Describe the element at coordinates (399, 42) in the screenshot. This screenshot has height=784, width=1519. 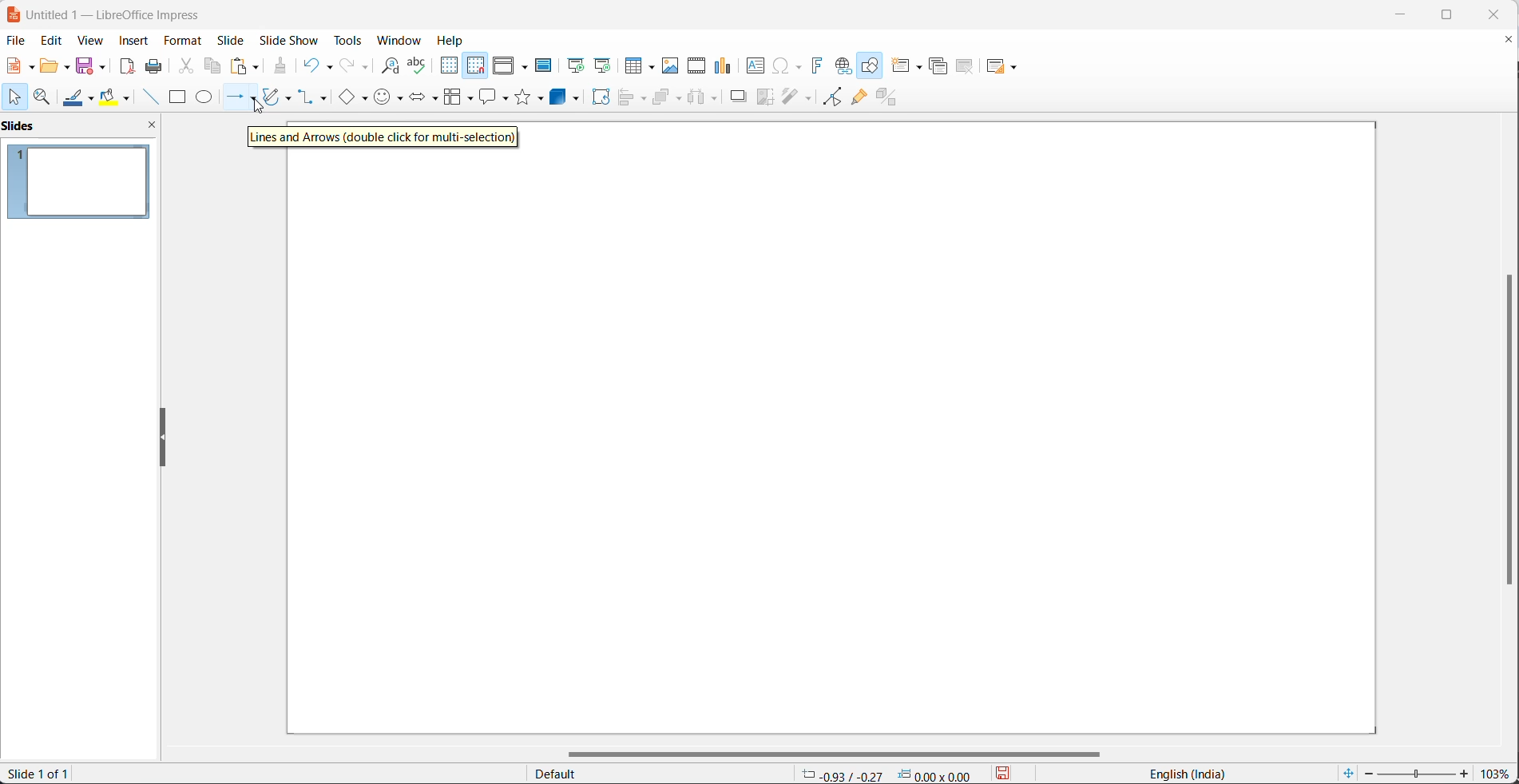
I see `window` at that location.